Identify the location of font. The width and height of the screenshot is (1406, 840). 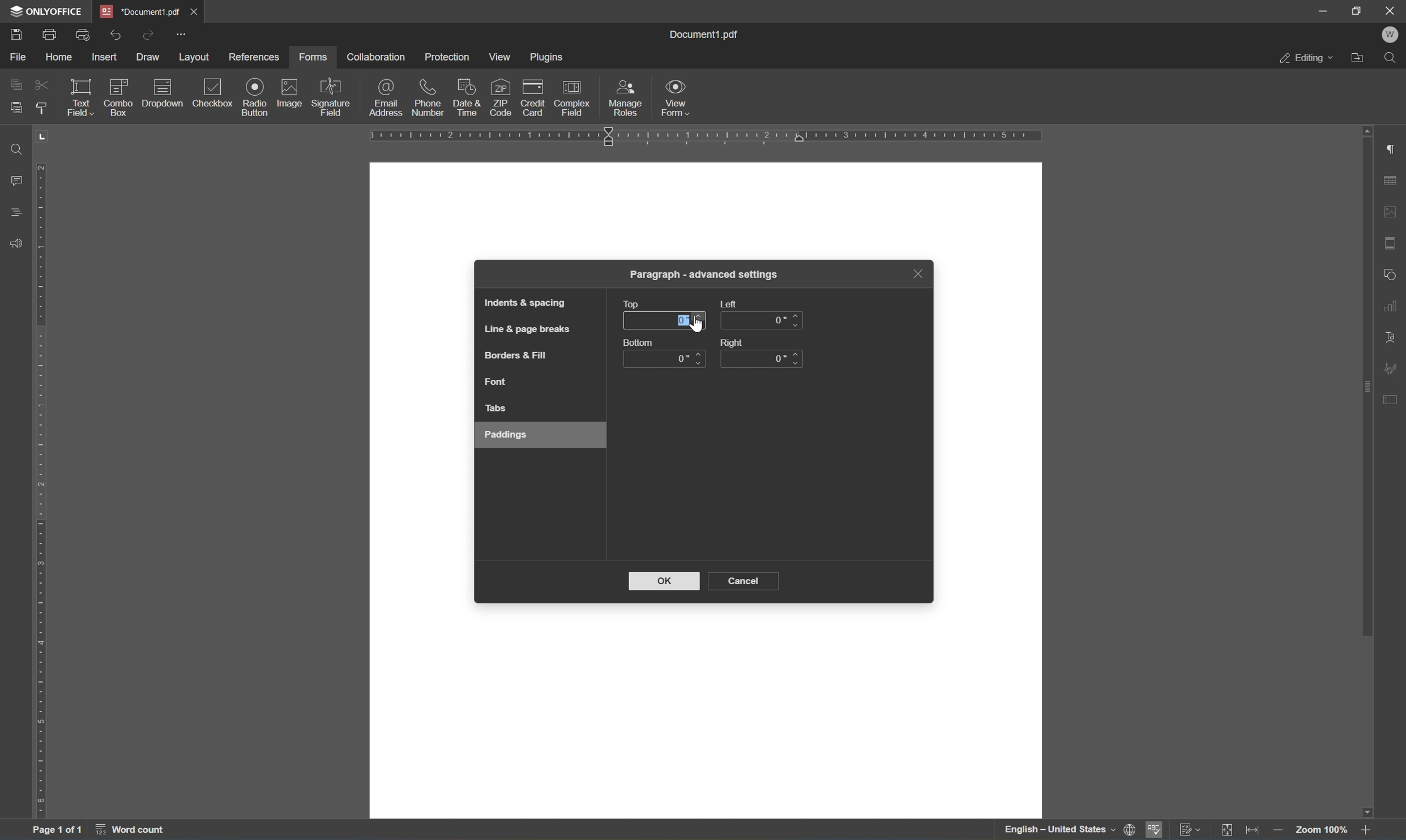
(498, 382).